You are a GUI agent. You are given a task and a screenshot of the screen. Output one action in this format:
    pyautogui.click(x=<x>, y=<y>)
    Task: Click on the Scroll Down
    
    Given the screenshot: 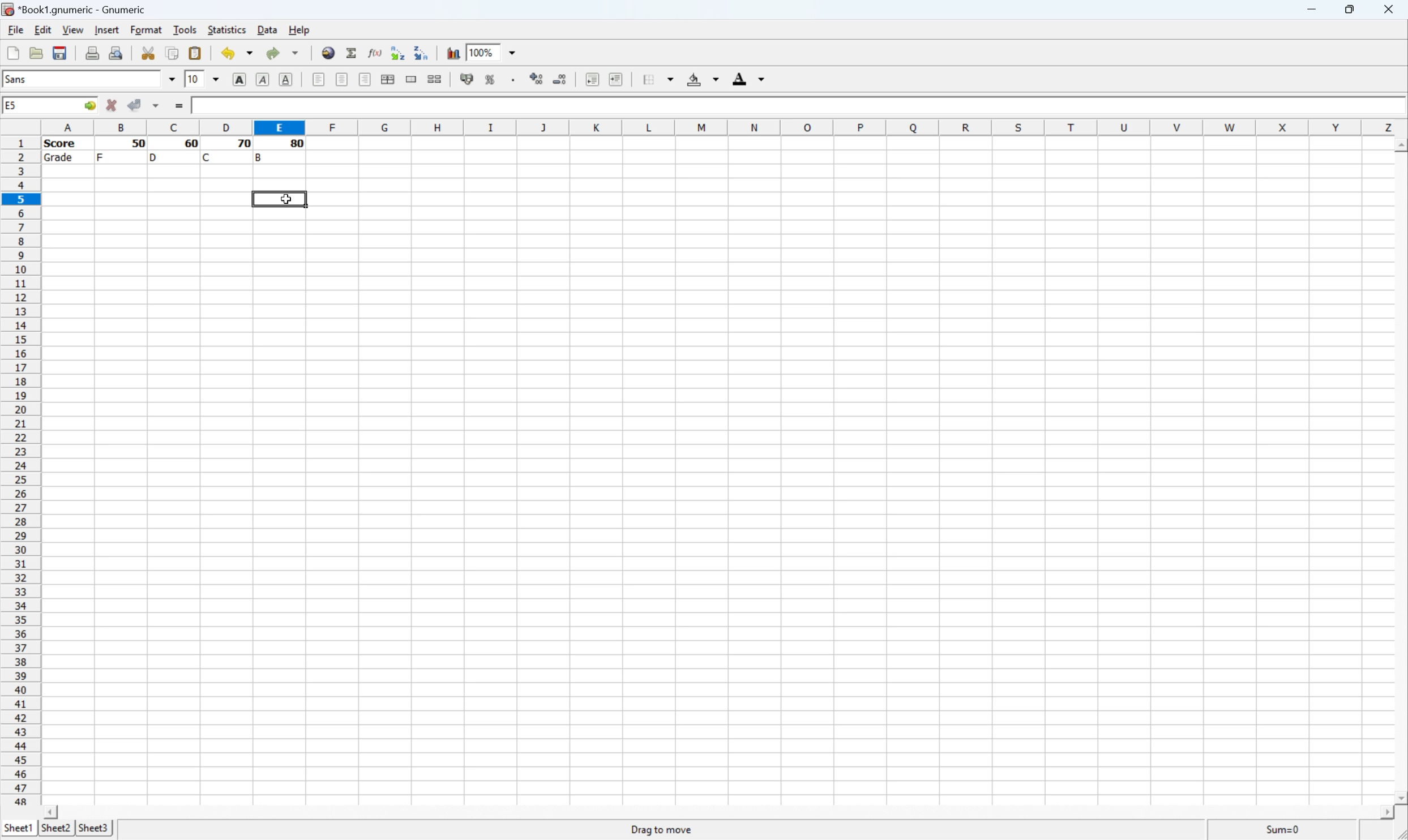 What is the action you would take?
    pyautogui.click(x=1399, y=796)
    